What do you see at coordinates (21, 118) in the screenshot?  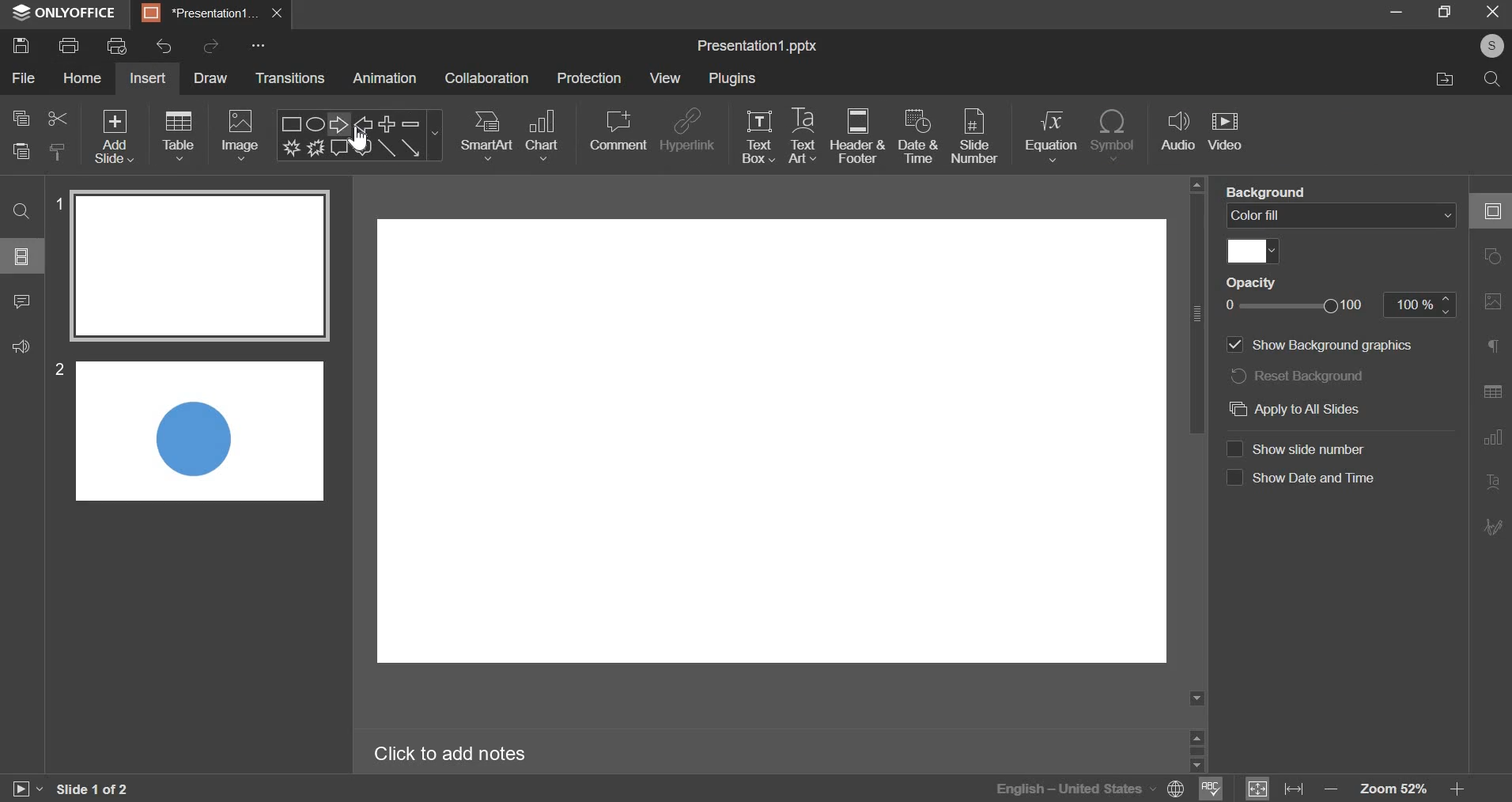 I see `copy` at bounding box center [21, 118].